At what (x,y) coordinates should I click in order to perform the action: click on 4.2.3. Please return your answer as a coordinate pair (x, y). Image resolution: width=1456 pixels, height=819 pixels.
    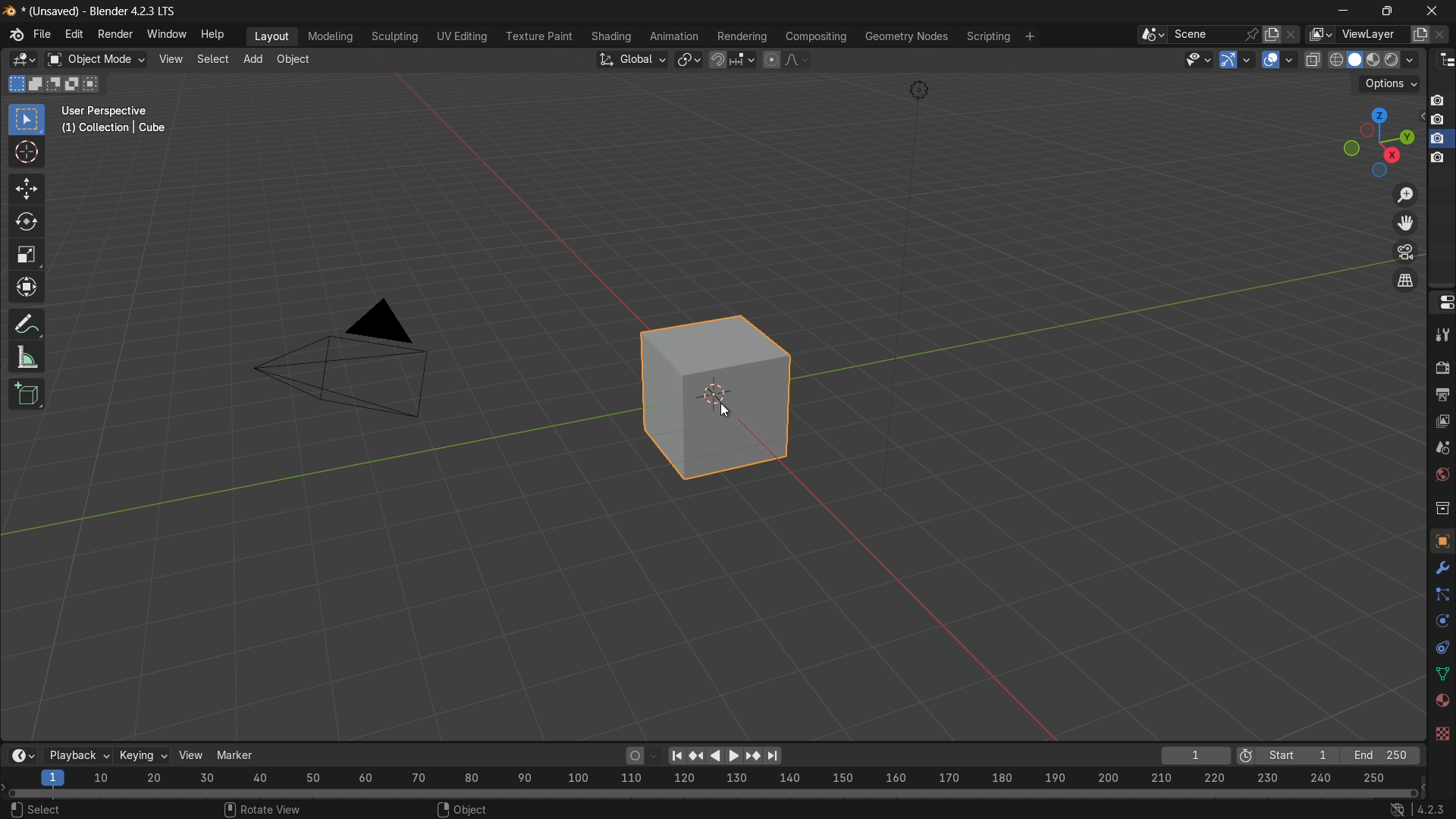
    Looking at the image, I should click on (1419, 808).